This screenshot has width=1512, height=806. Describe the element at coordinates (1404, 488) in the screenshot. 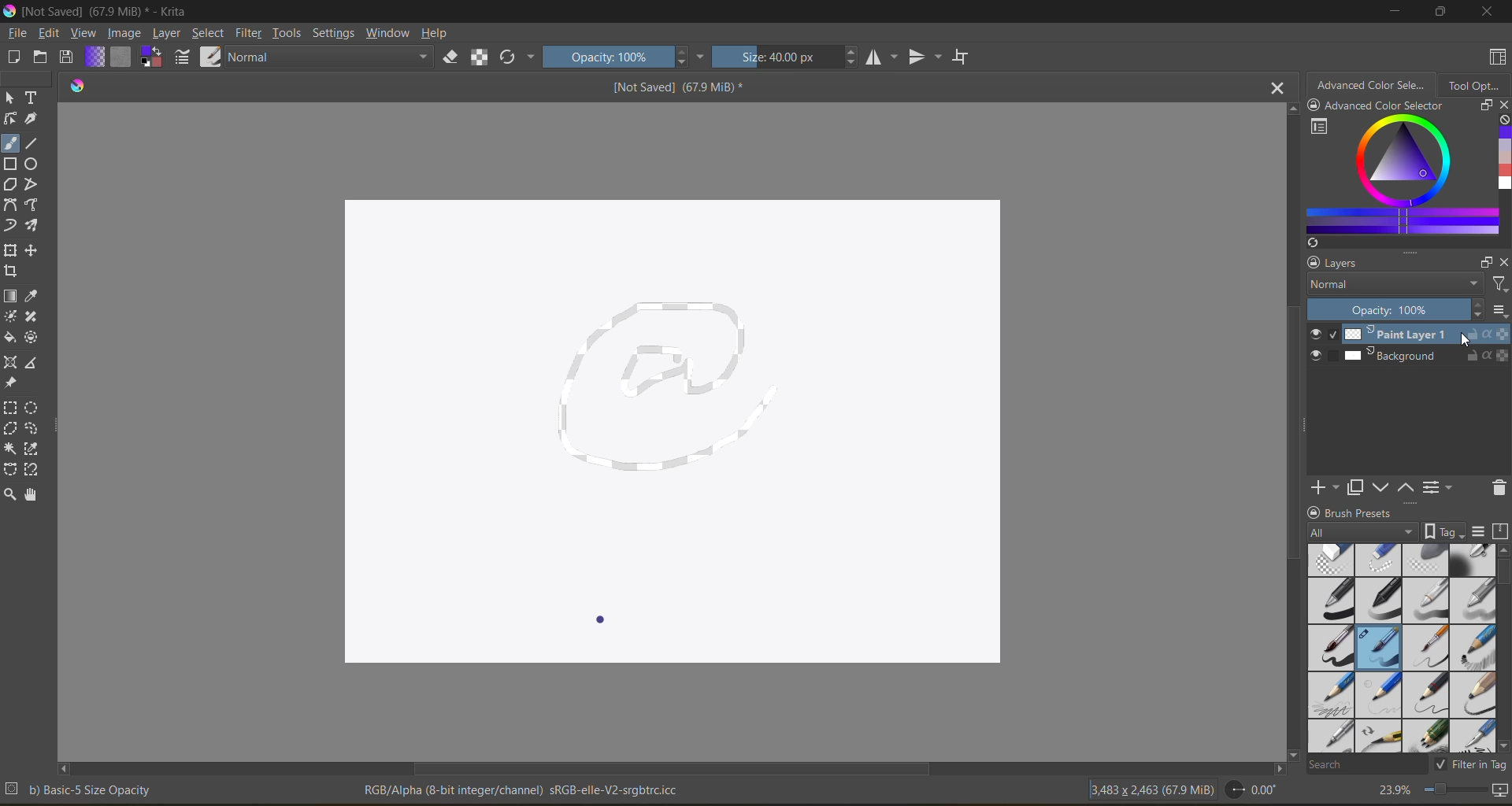

I see `mask up` at that location.